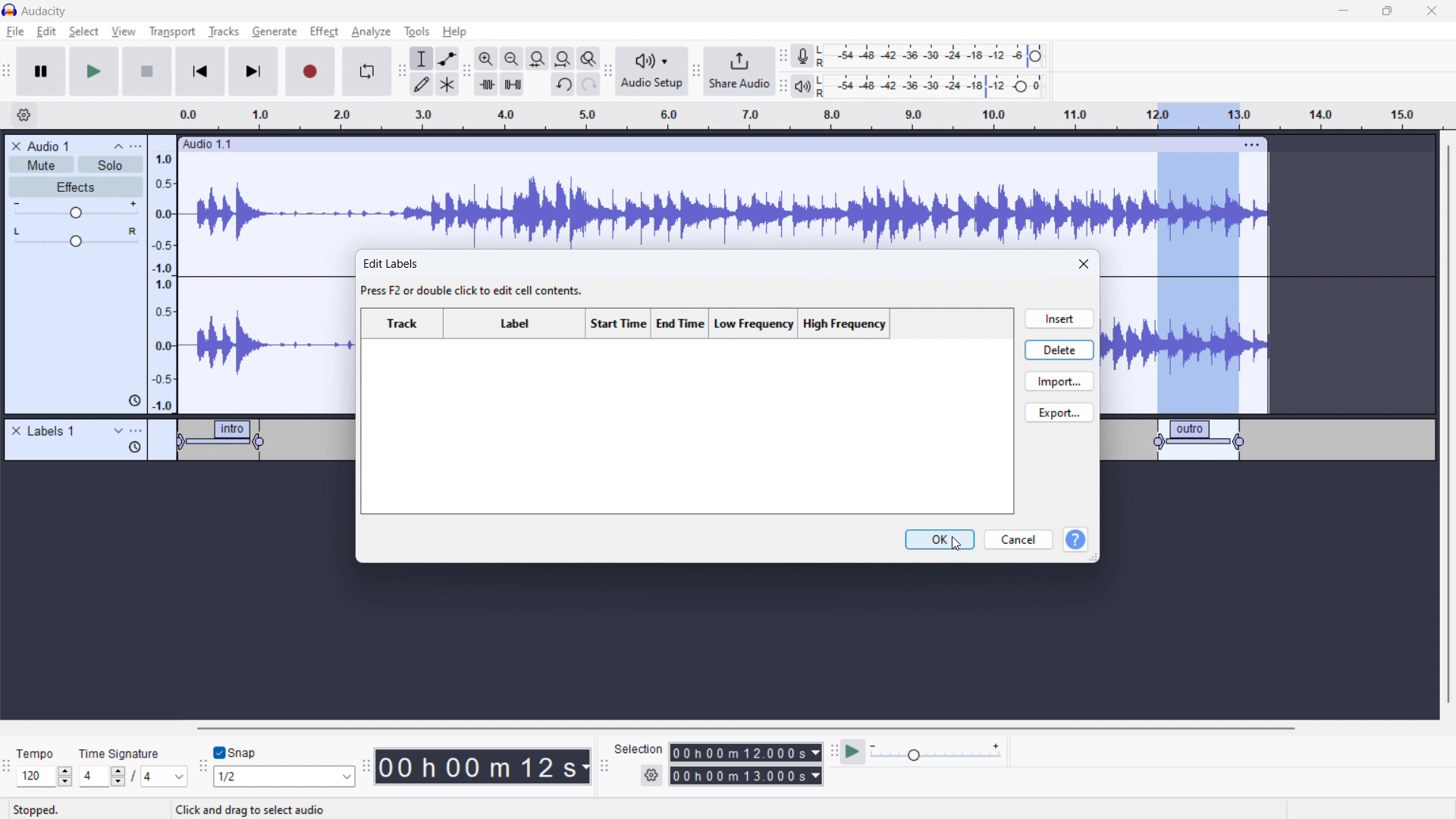  What do you see at coordinates (52, 431) in the screenshot?
I see `labels` at bounding box center [52, 431].